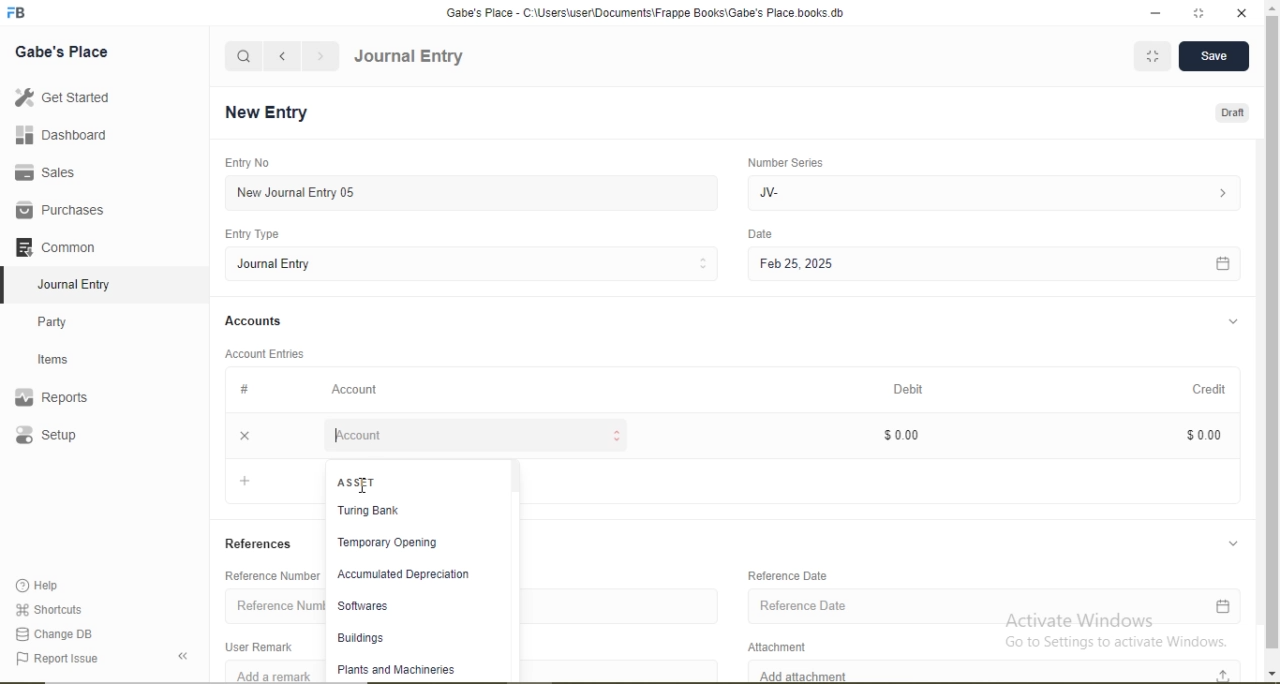  I want to click on JV-, so click(1003, 191).